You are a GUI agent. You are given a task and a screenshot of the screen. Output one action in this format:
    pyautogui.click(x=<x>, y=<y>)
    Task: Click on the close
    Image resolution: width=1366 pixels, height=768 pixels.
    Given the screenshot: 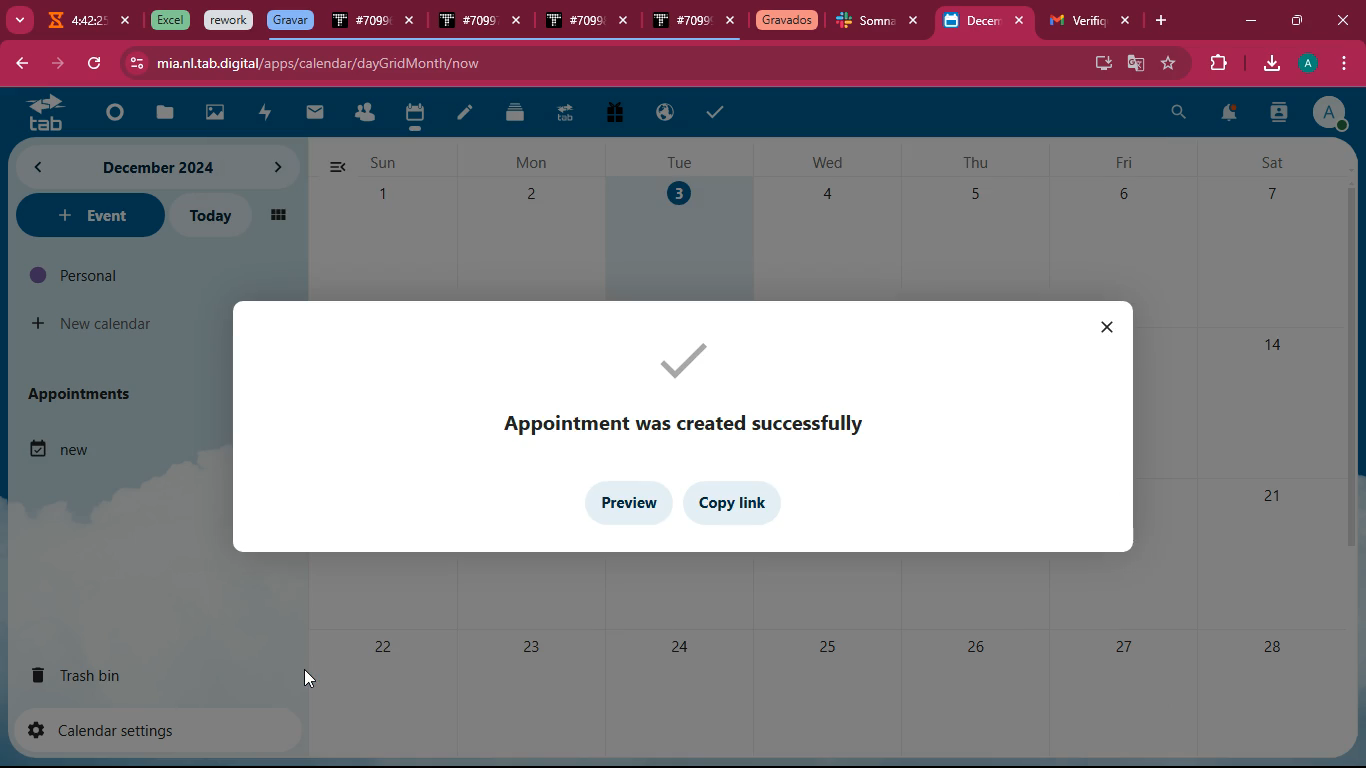 What is the action you would take?
    pyautogui.click(x=127, y=21)
    